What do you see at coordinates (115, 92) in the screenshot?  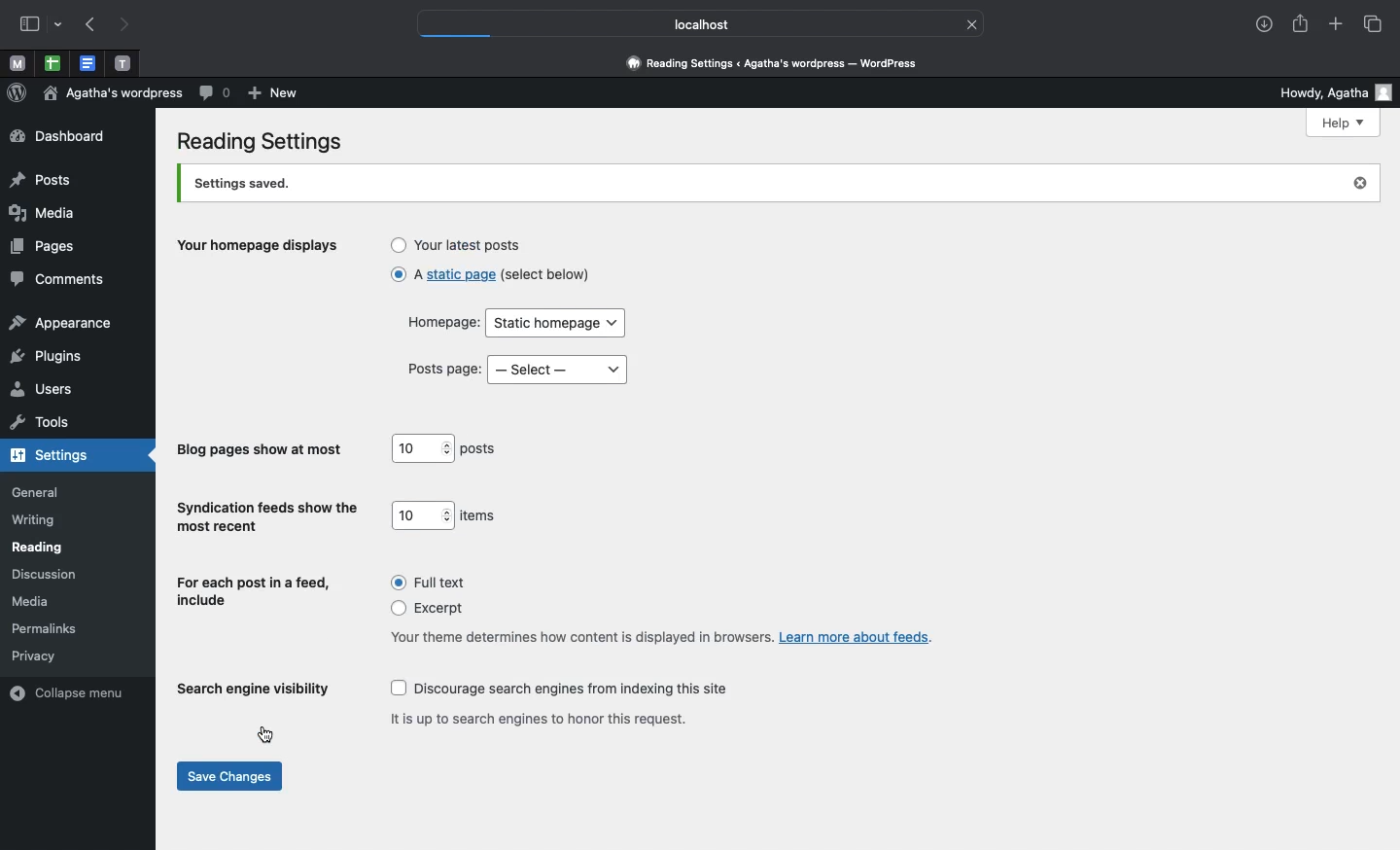 I see `Wordpress name` at bounding box center [115, 92].